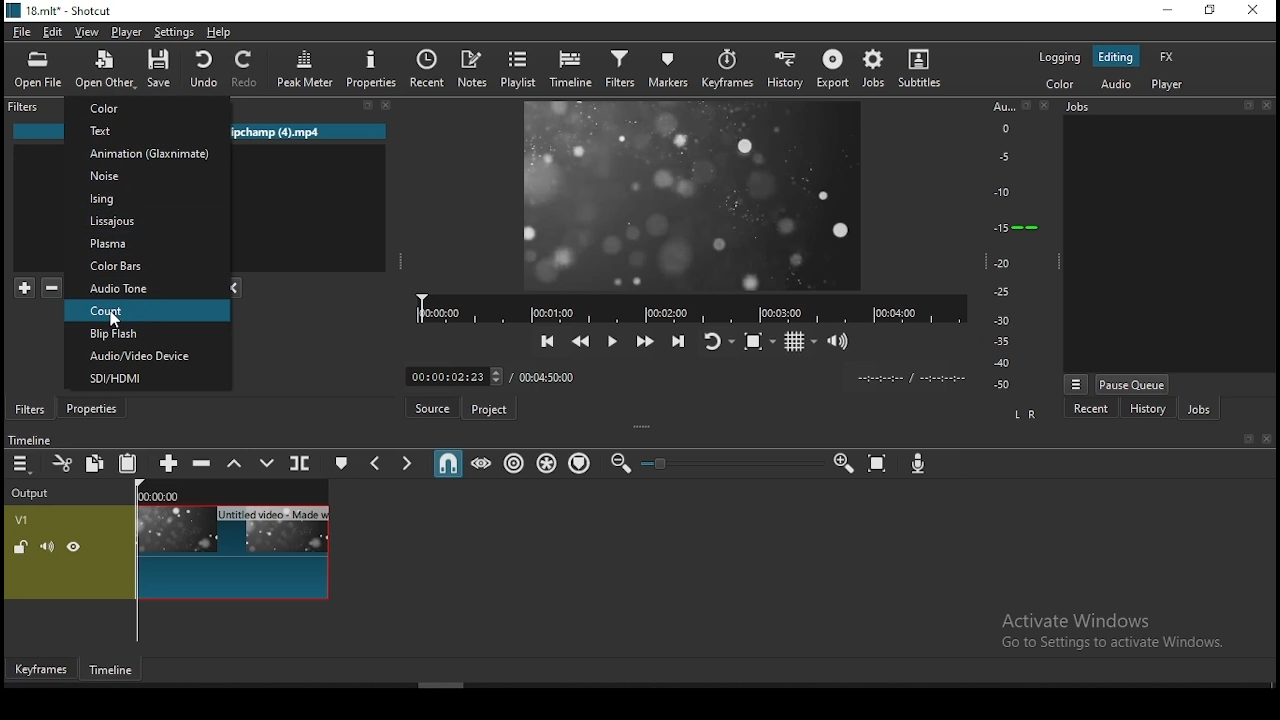 The height and width of the screenshot is (720, 1280). Describe the element at coordinates (144, 243) in the screenshot. I see `plasma` at that location.